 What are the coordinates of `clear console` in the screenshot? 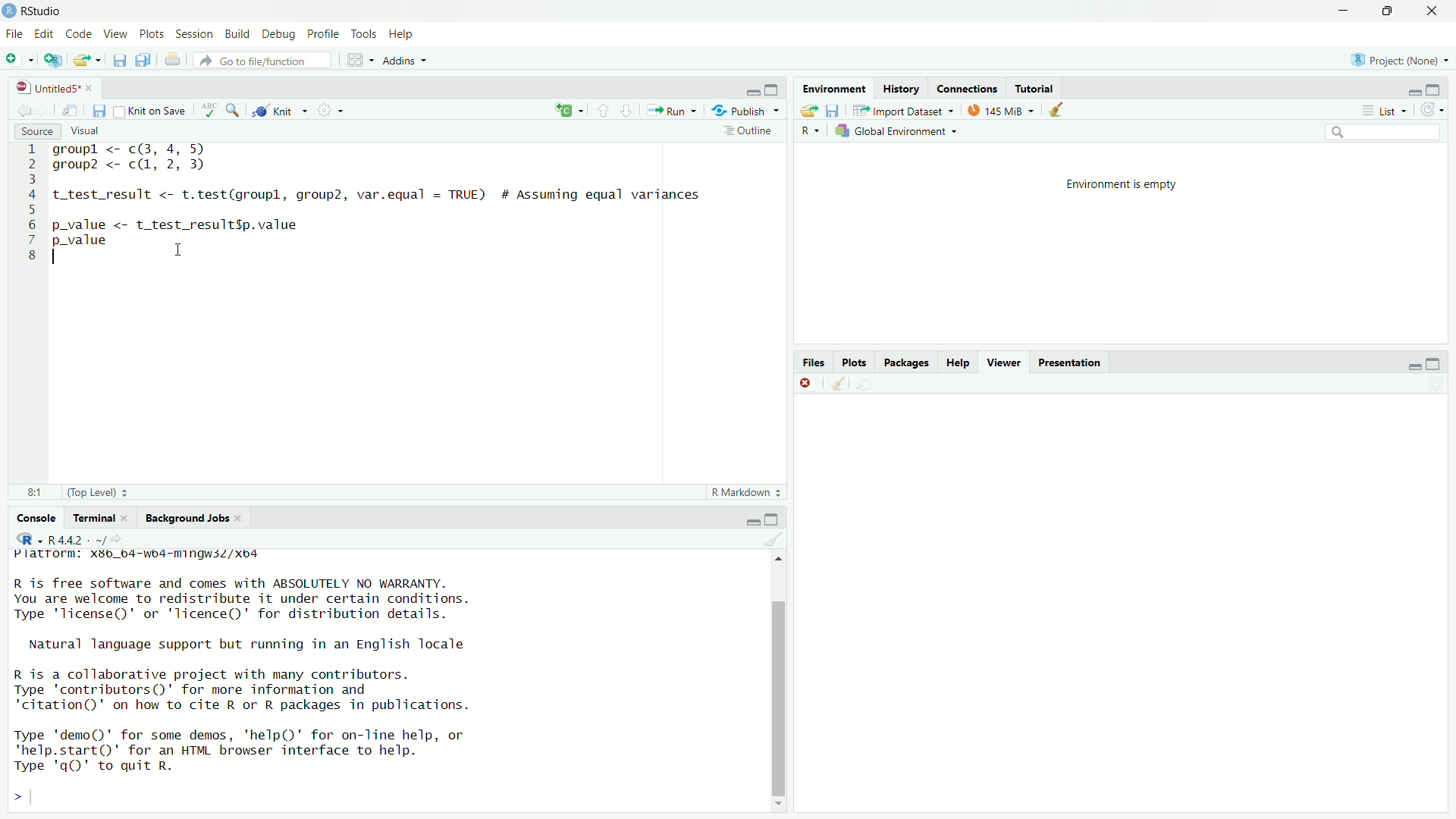 It's located at (836, 382).